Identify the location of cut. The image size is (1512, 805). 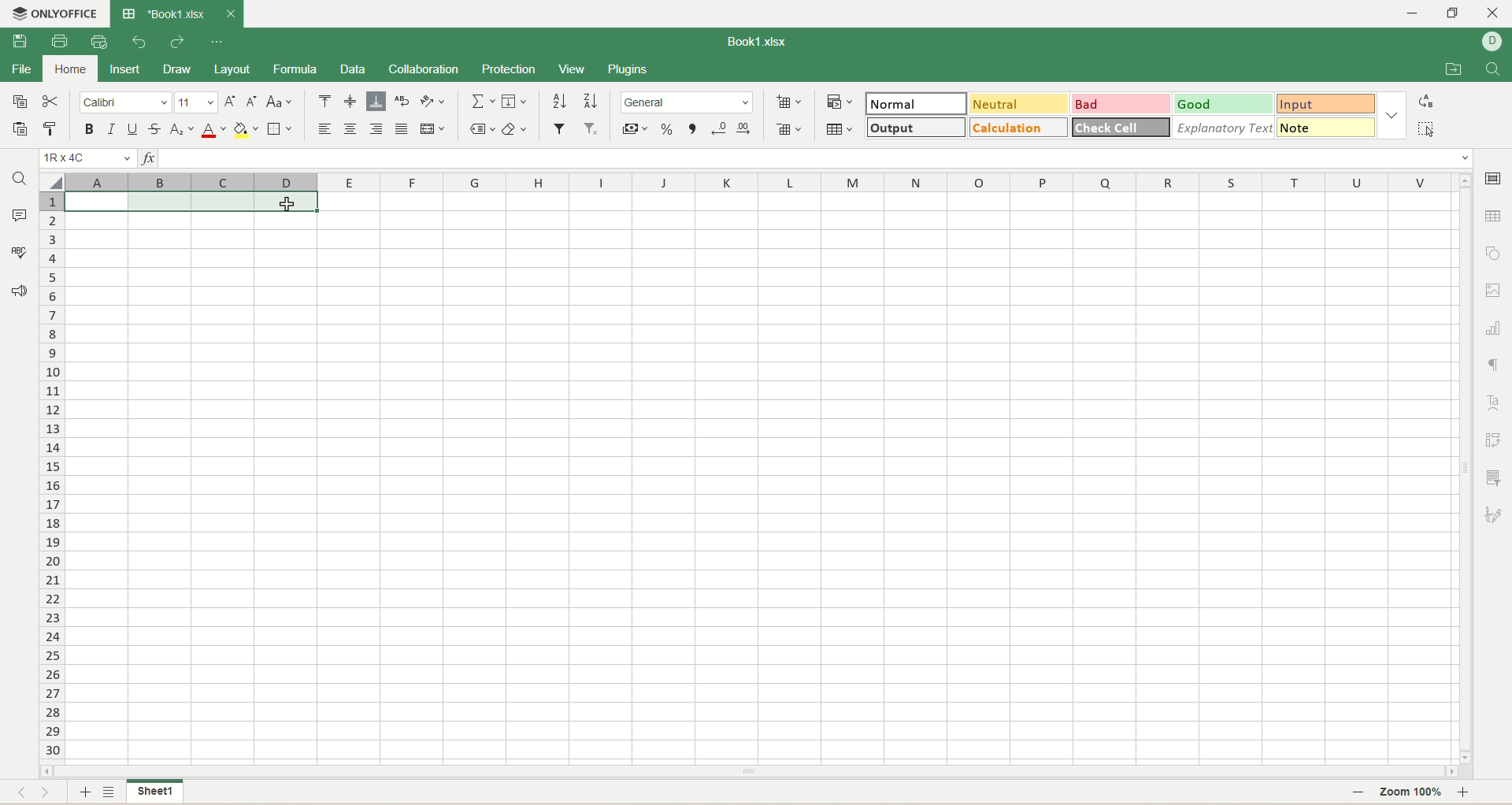
(54, 101).